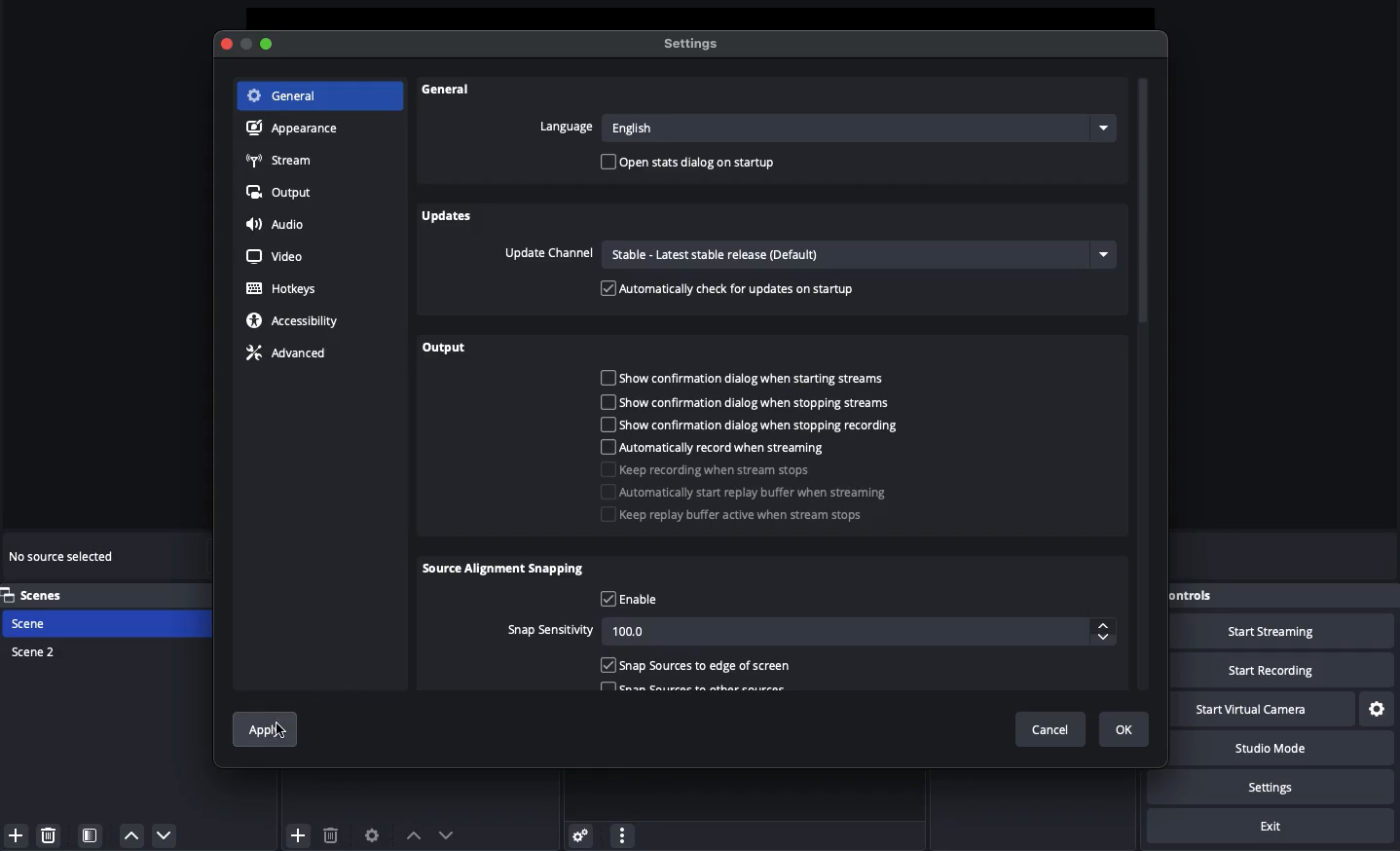 The image size is (1400, 851). I want to click on Streaming, so click(736, 461).